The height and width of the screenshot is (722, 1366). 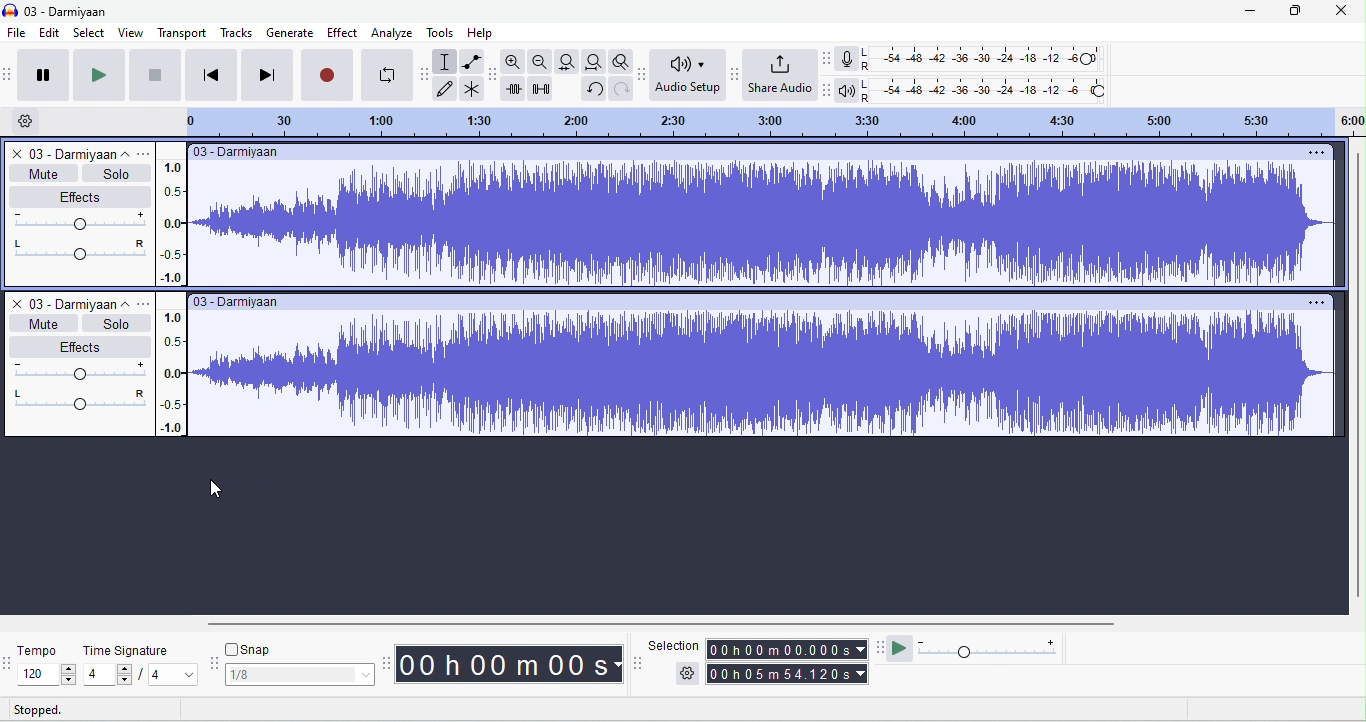 What do you see at coordinates (480, 32) in the screenshot?
I see `help` at bounding box center [480, 32].